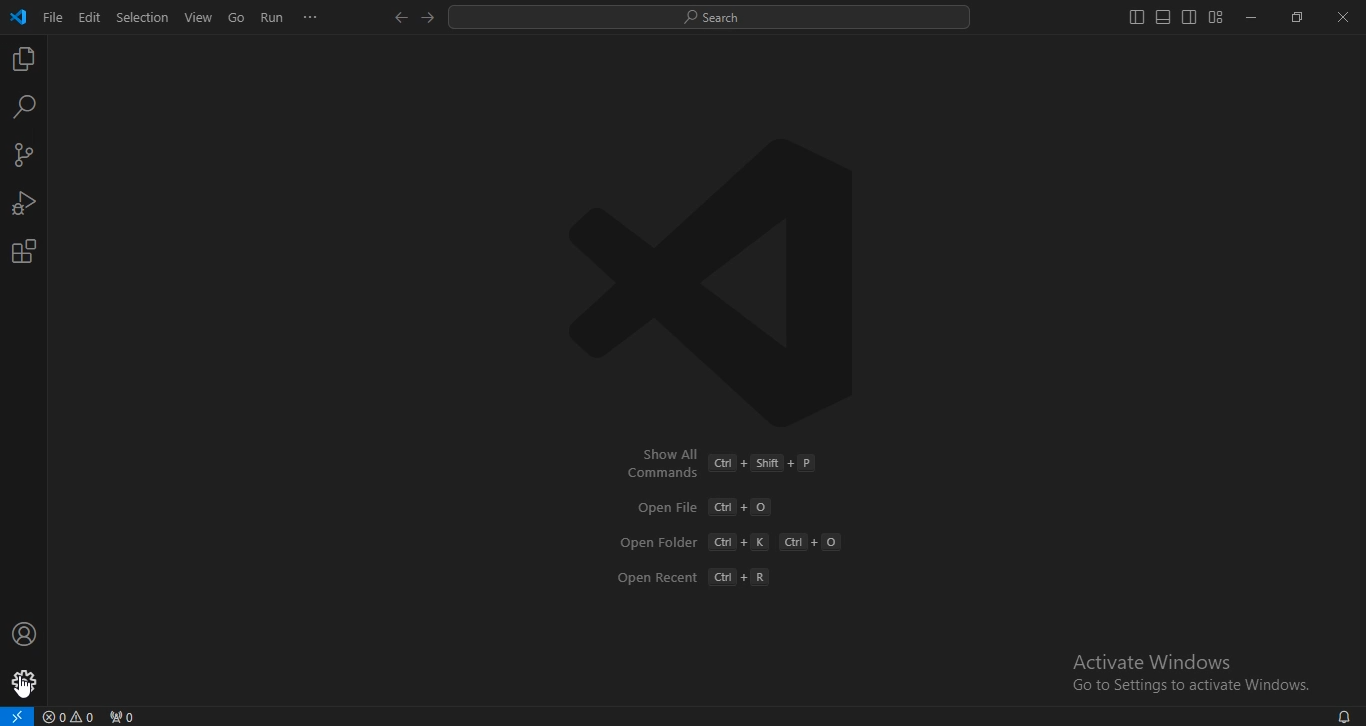 Image resolution: width=1366 pixels, height=726 pixels. I want to click on restore down, so click(1297, 17).